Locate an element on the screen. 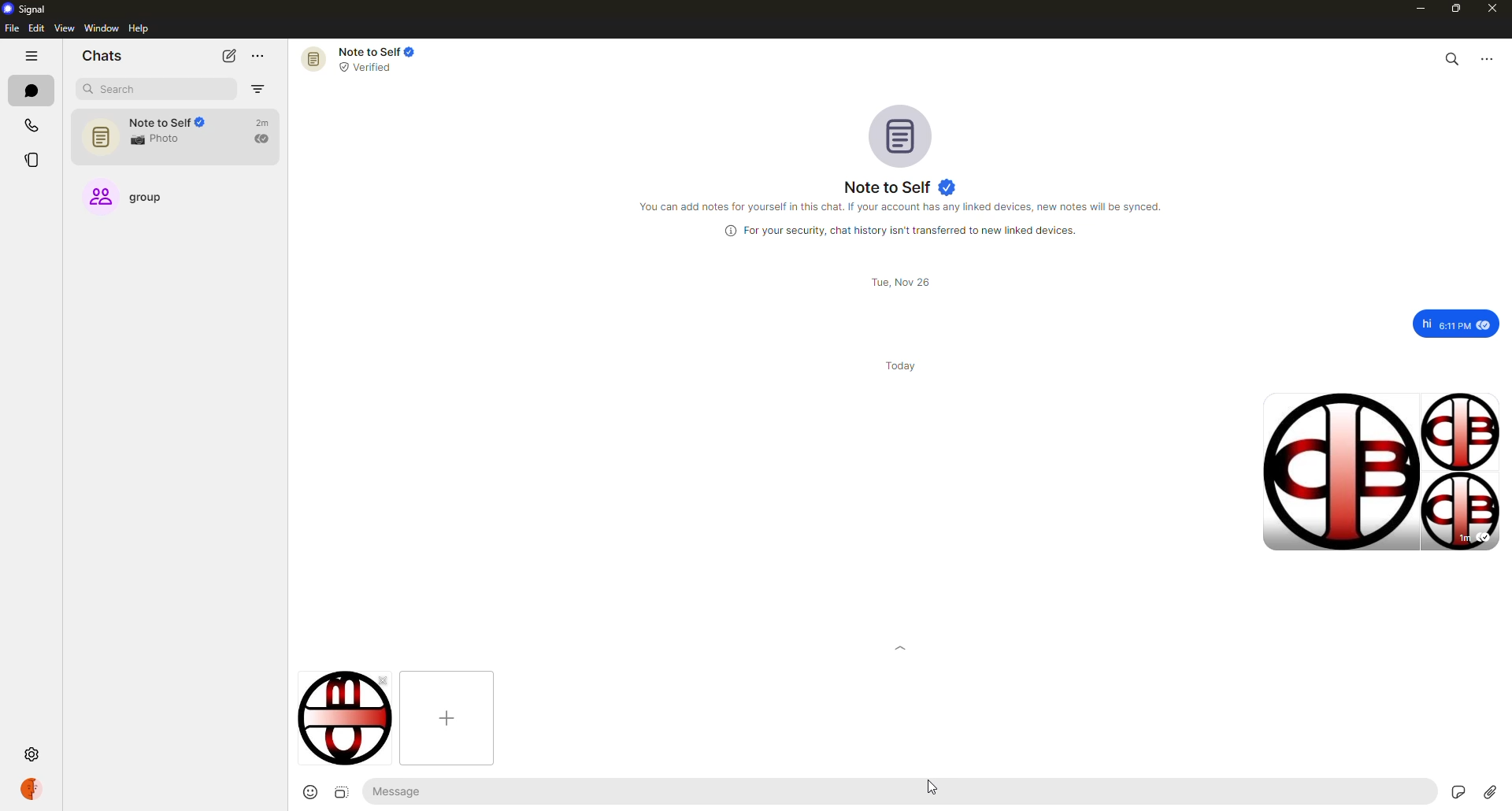  note to self is located at coordinates (178, 132).